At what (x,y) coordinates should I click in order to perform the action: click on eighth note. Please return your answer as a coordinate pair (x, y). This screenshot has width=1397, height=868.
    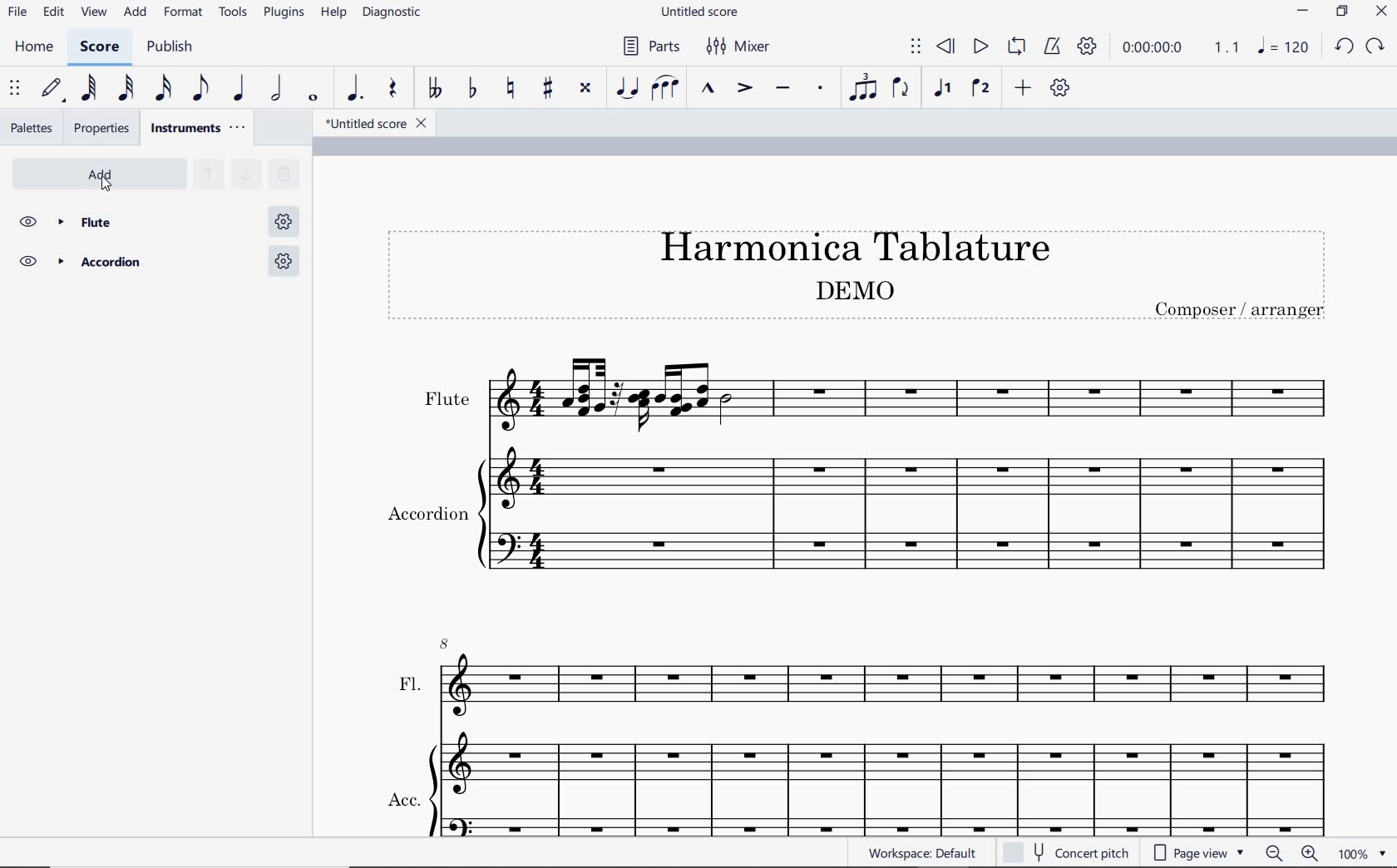
    Looking at the image, I should click on (198, 90).